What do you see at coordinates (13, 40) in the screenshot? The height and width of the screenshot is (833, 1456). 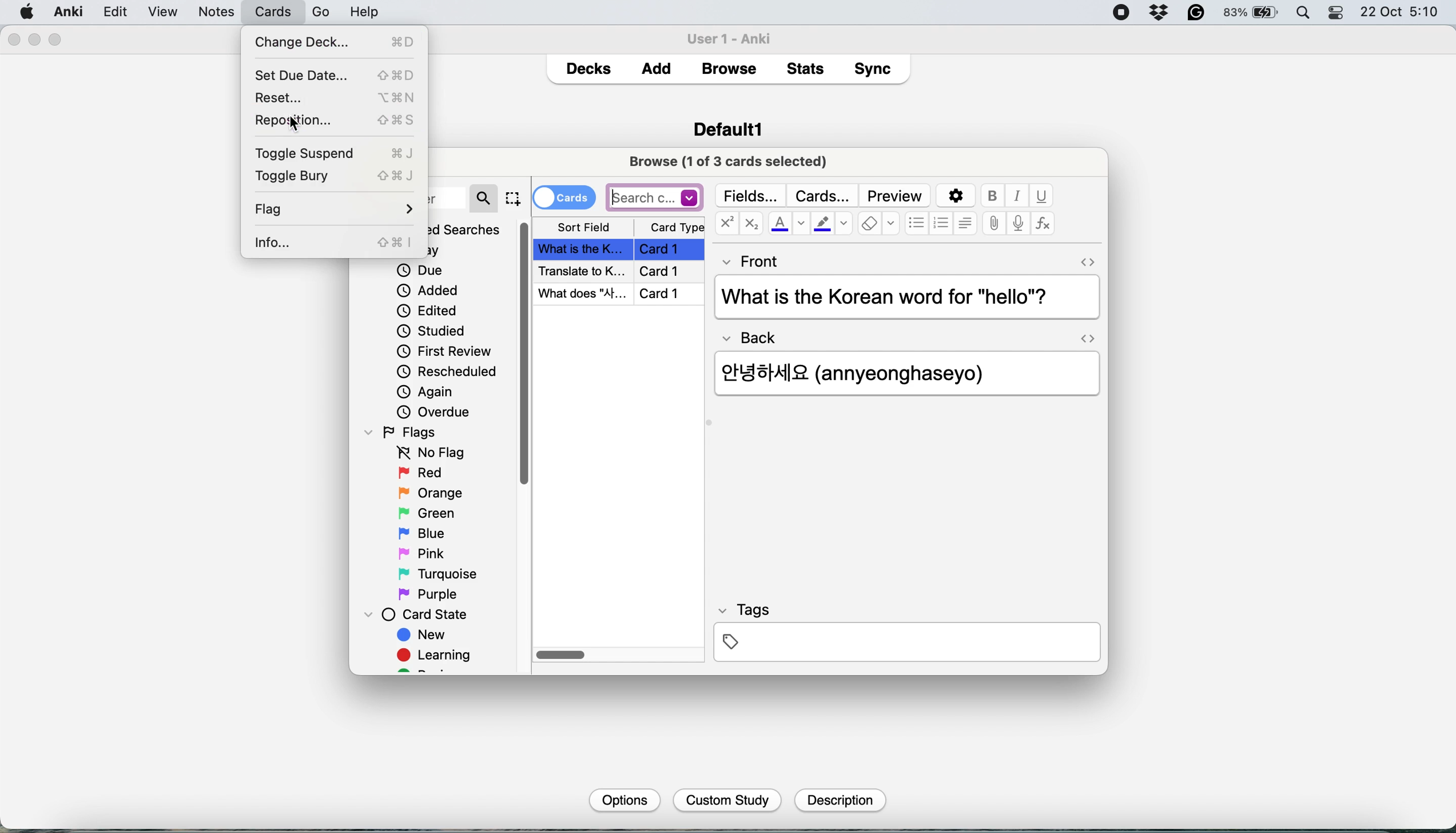 I see `close` at bounding box center [13, 40].